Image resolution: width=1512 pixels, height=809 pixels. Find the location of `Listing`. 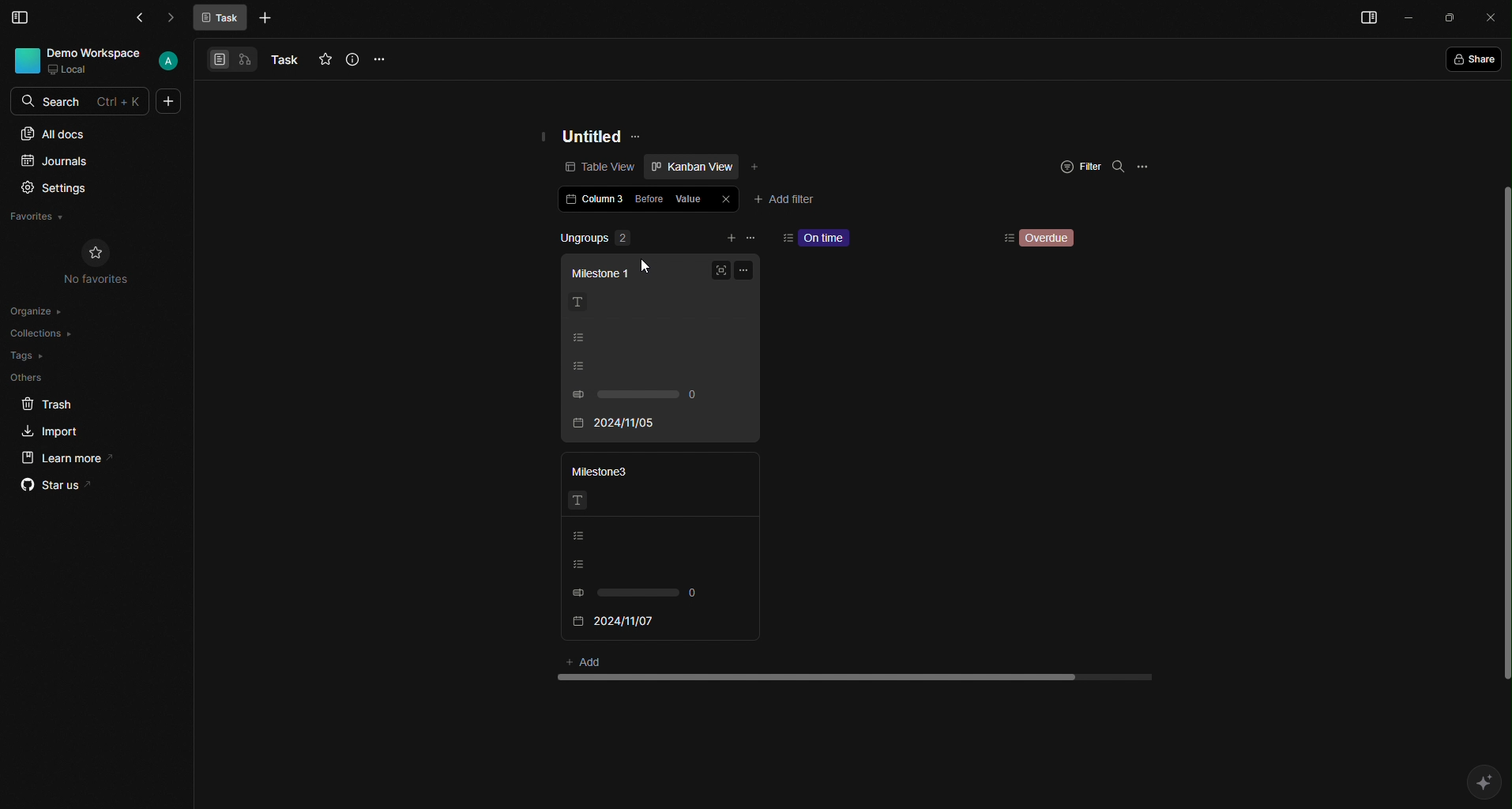

Listing is located at coordinates (588, 337).